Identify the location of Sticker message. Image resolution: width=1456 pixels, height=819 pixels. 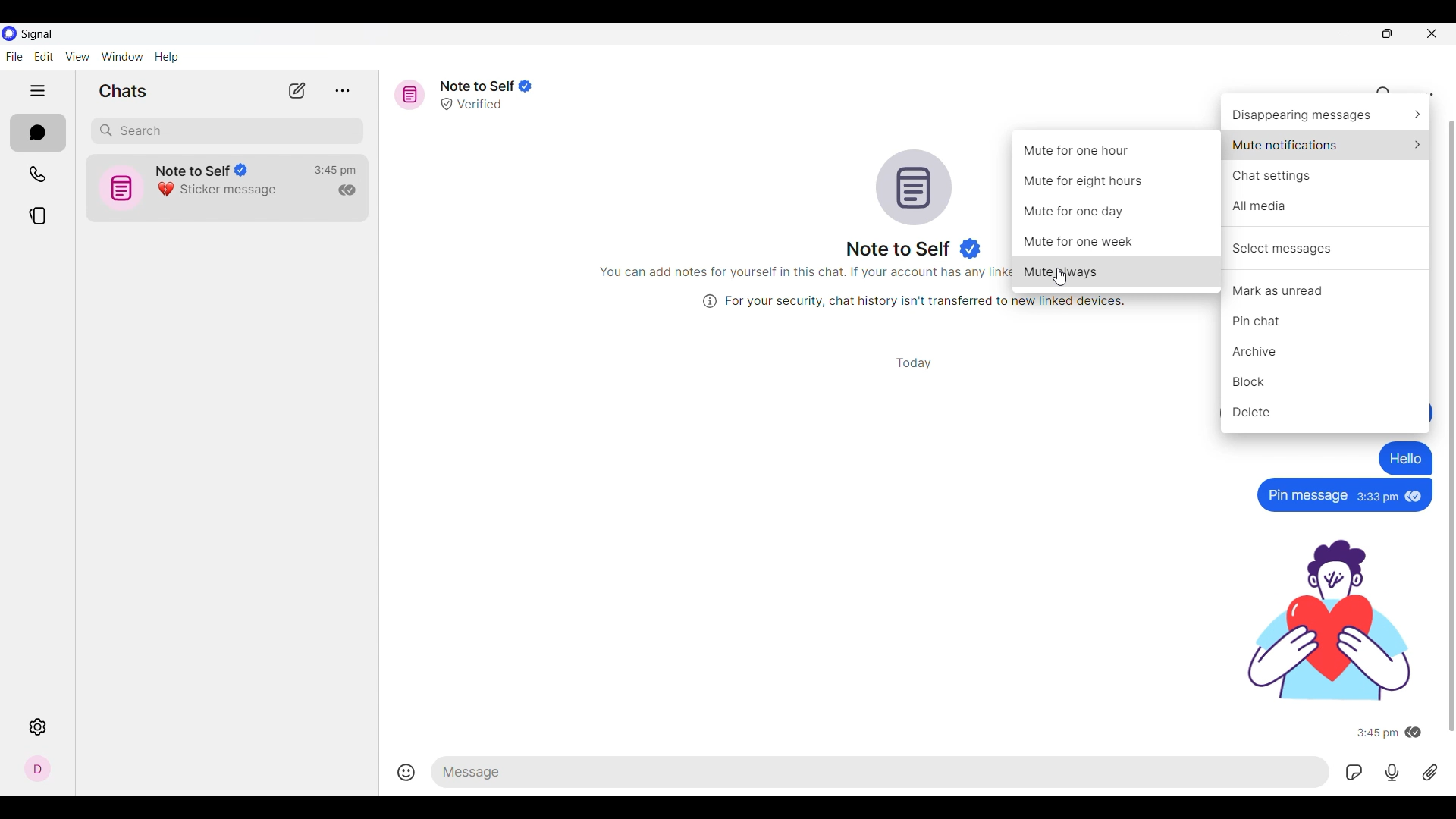
(219, 190).